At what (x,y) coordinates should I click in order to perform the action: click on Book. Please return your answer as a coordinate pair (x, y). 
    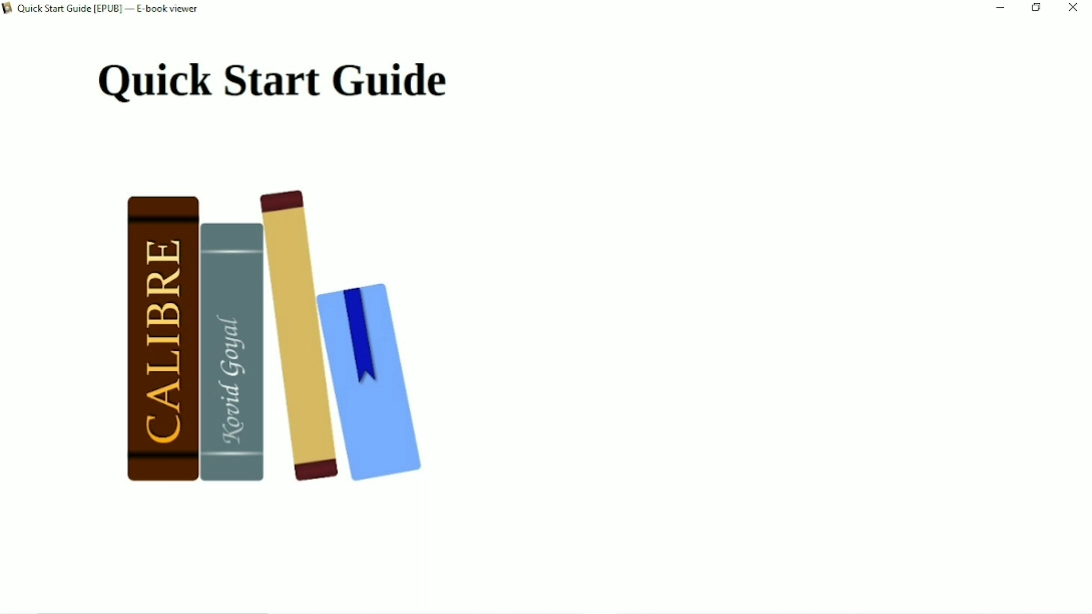
    Looking at the image, I should click on (291, 343).